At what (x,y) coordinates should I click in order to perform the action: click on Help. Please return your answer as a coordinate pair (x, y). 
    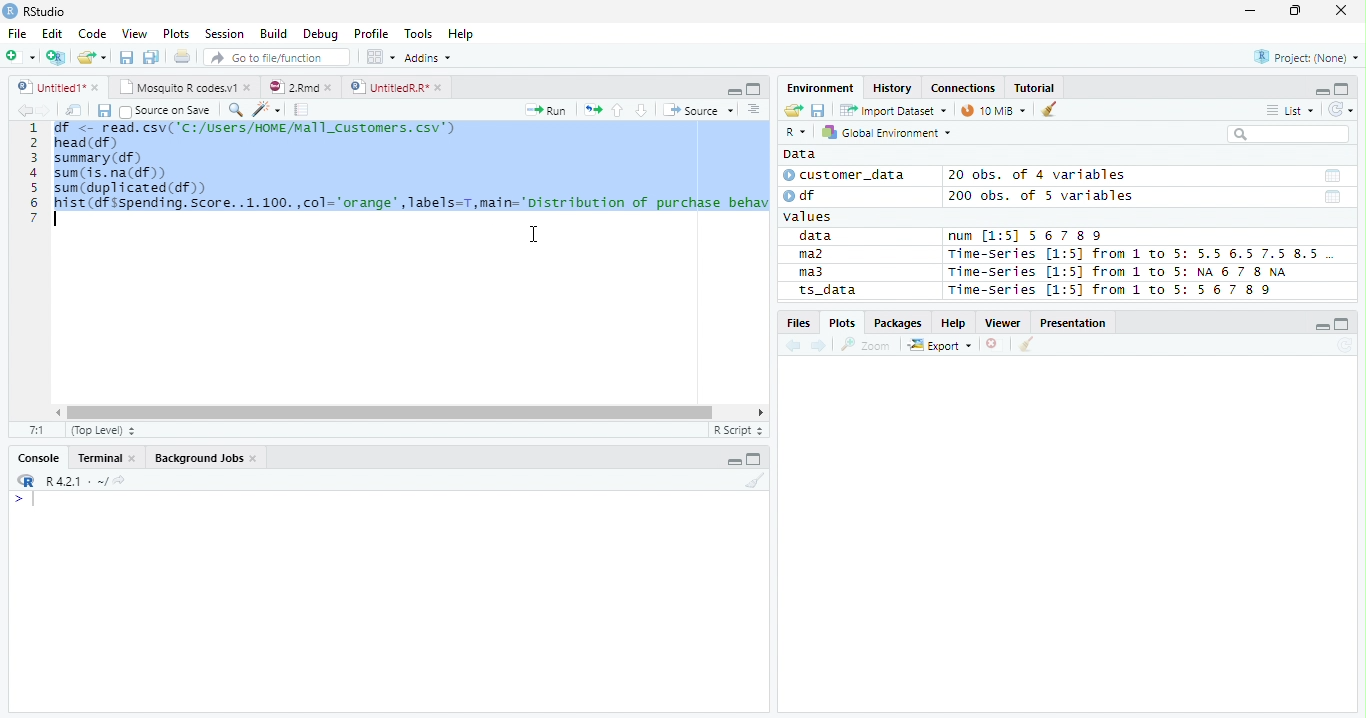
    Looking at the image, I should click on (954, 324).